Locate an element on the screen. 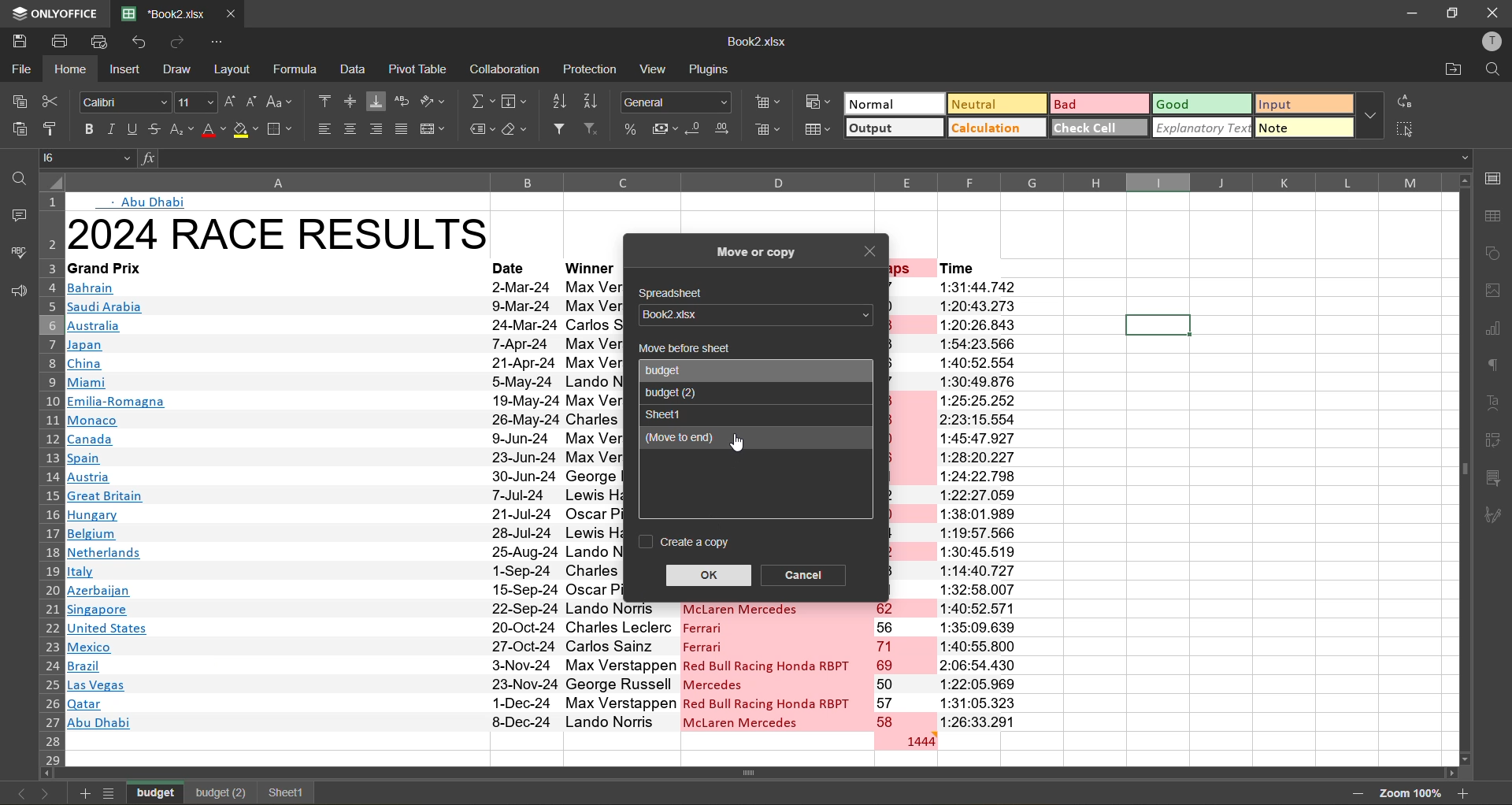 The height and width of the screenshot is (805, 1512). bold is located at coordinates (86, 128).